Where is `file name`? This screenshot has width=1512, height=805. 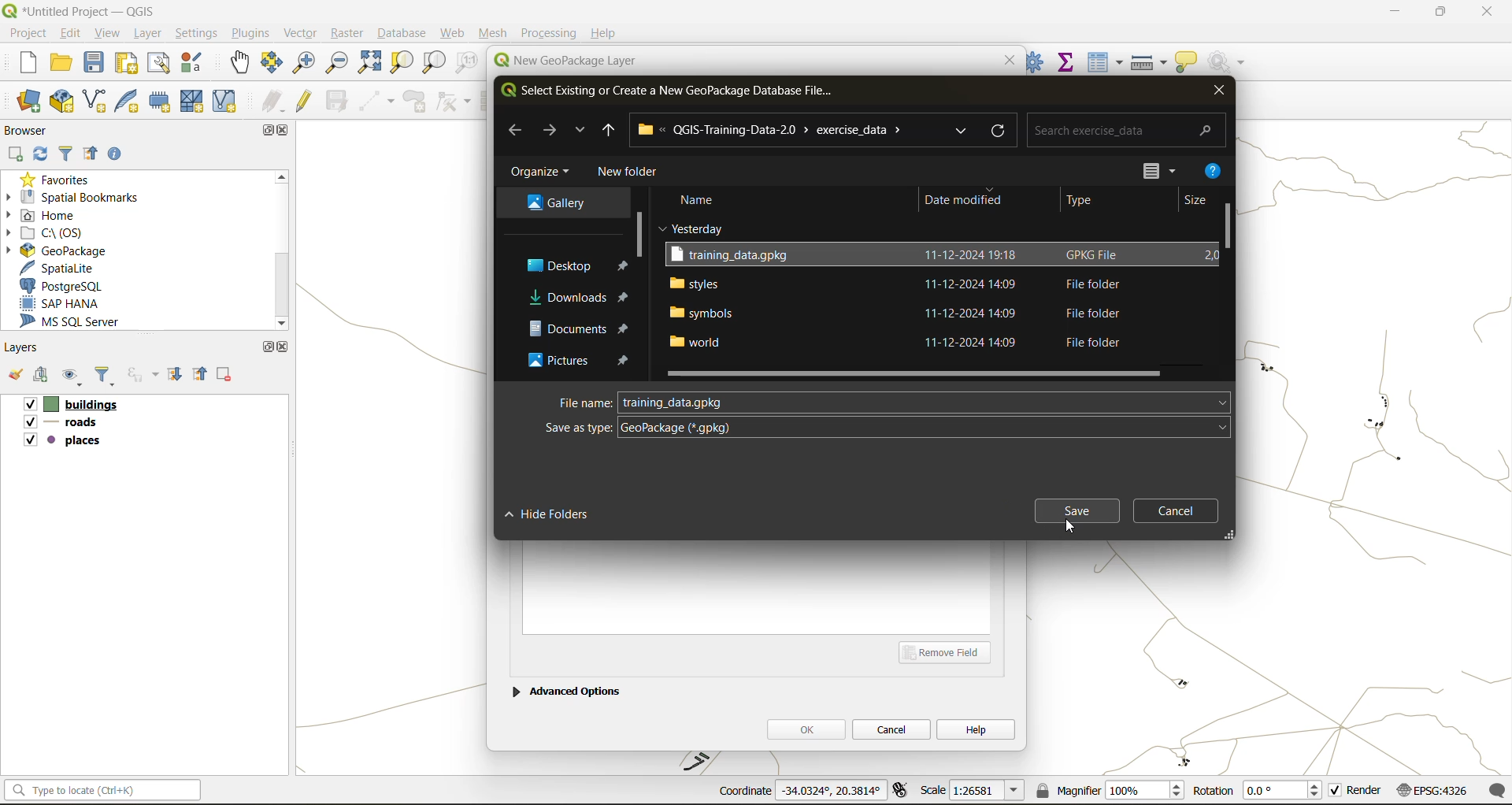
file name is located at coordinates (584, 402).